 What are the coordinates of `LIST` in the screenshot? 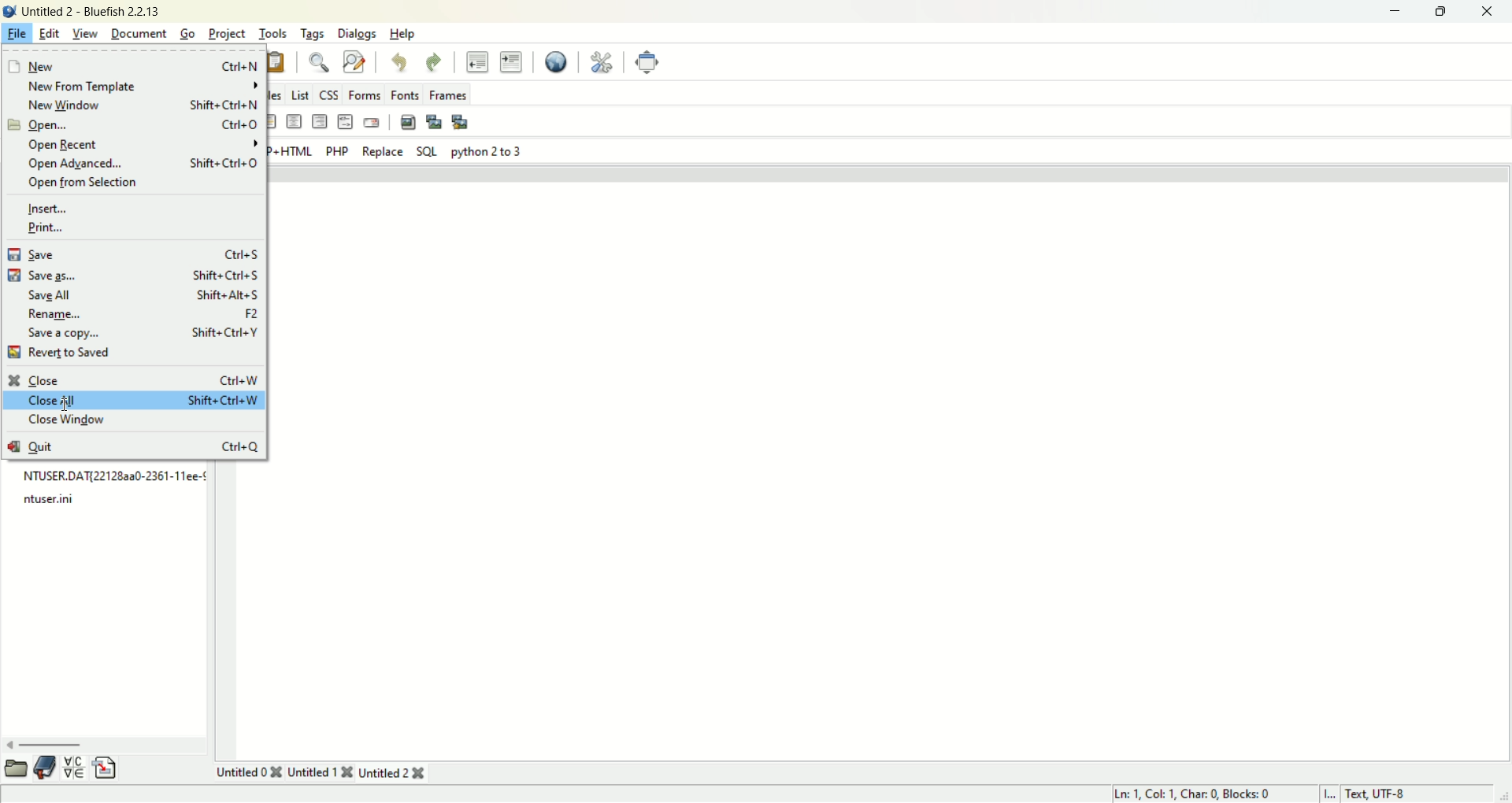 It's located at (298, 92).